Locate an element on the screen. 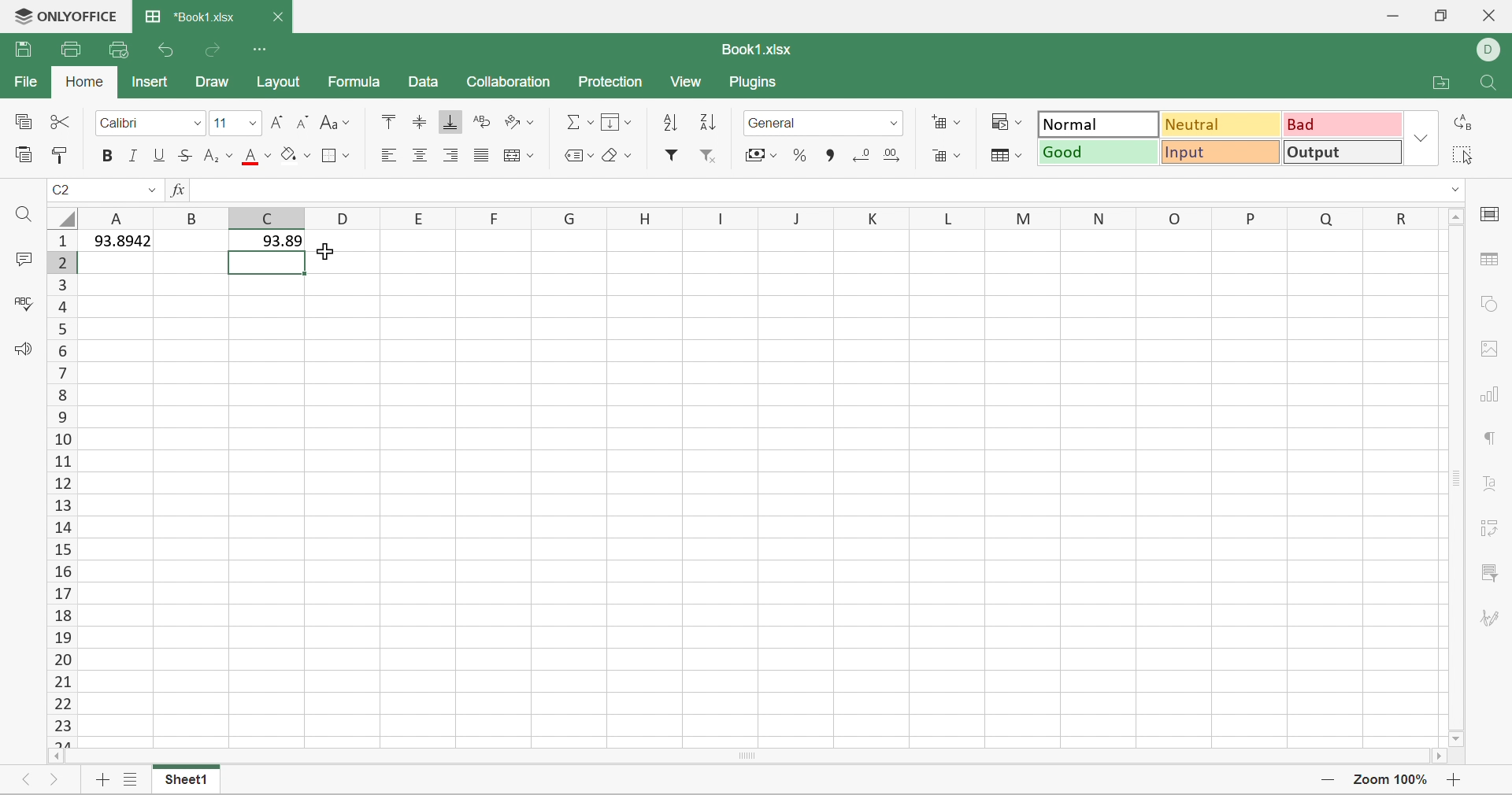  Input is located at coordinates (1221, 154).